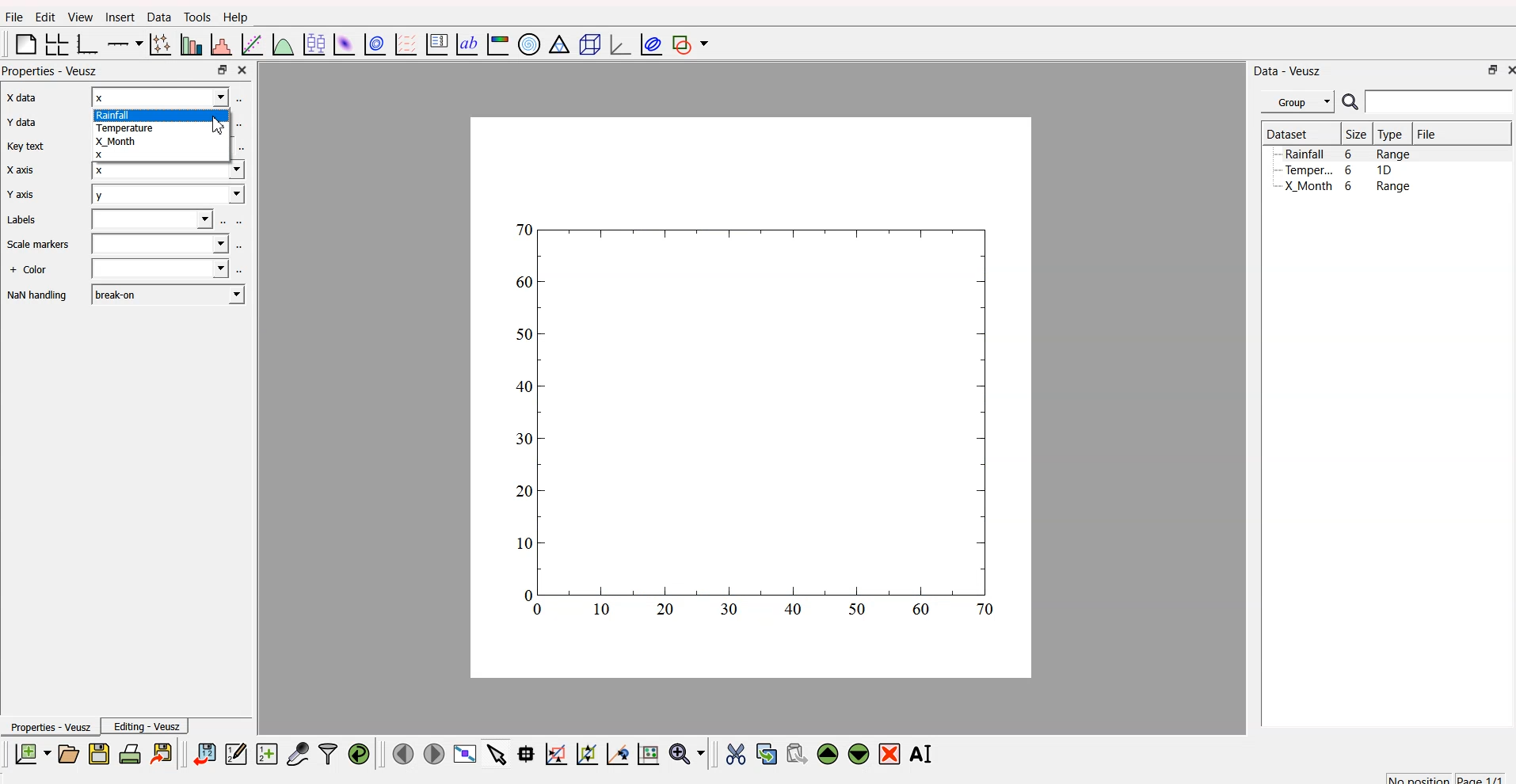 The height and width of the screenshot is (784, 1516). What do you see at coordinates (1350, 102) in the screenshot?
I see `search icon` at bounding box center [1350, 102].